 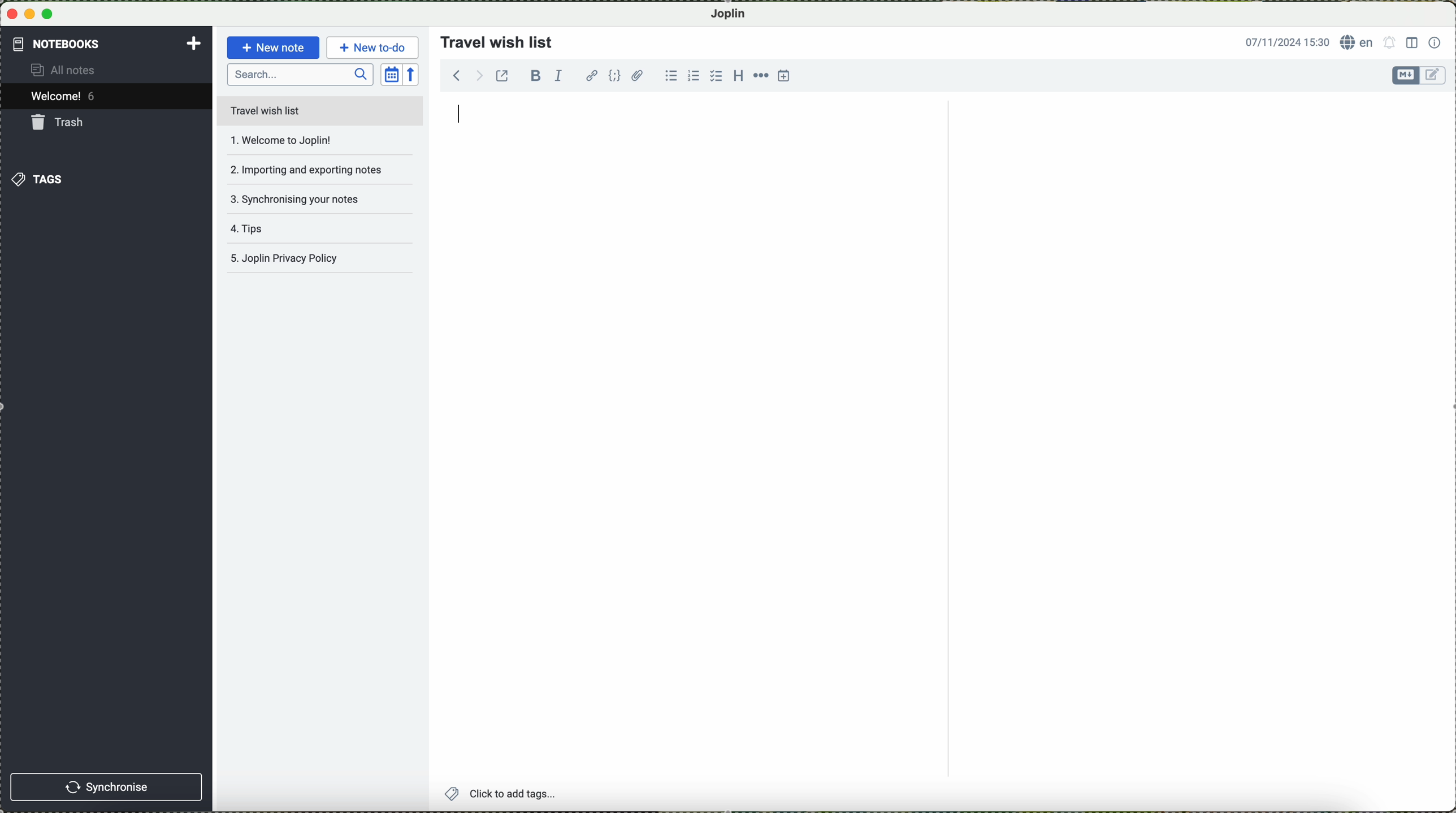 What do you see at coordinates (734, 13) in the screenshot?
I see `Joplin` at bounding box center [734, 13].